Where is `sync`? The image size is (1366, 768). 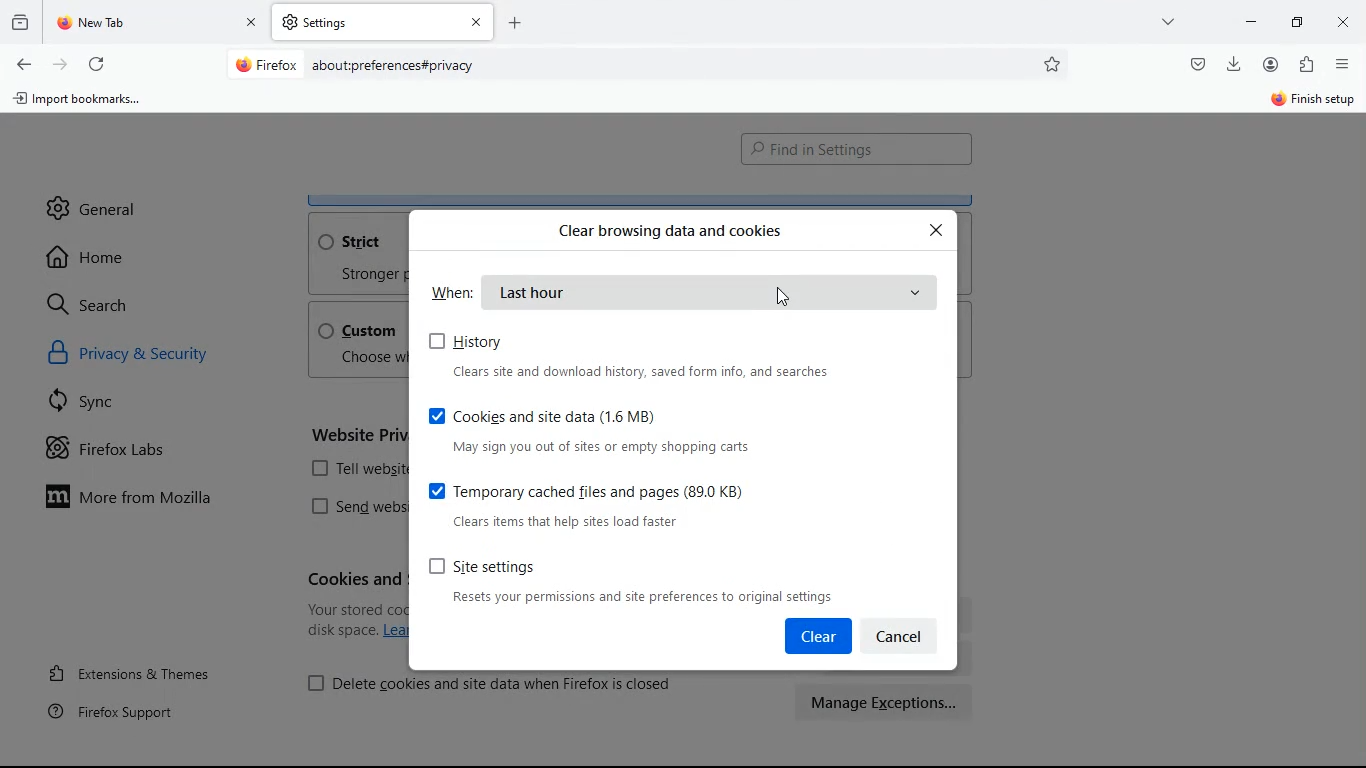
sync is located at coordinates (91, 405).